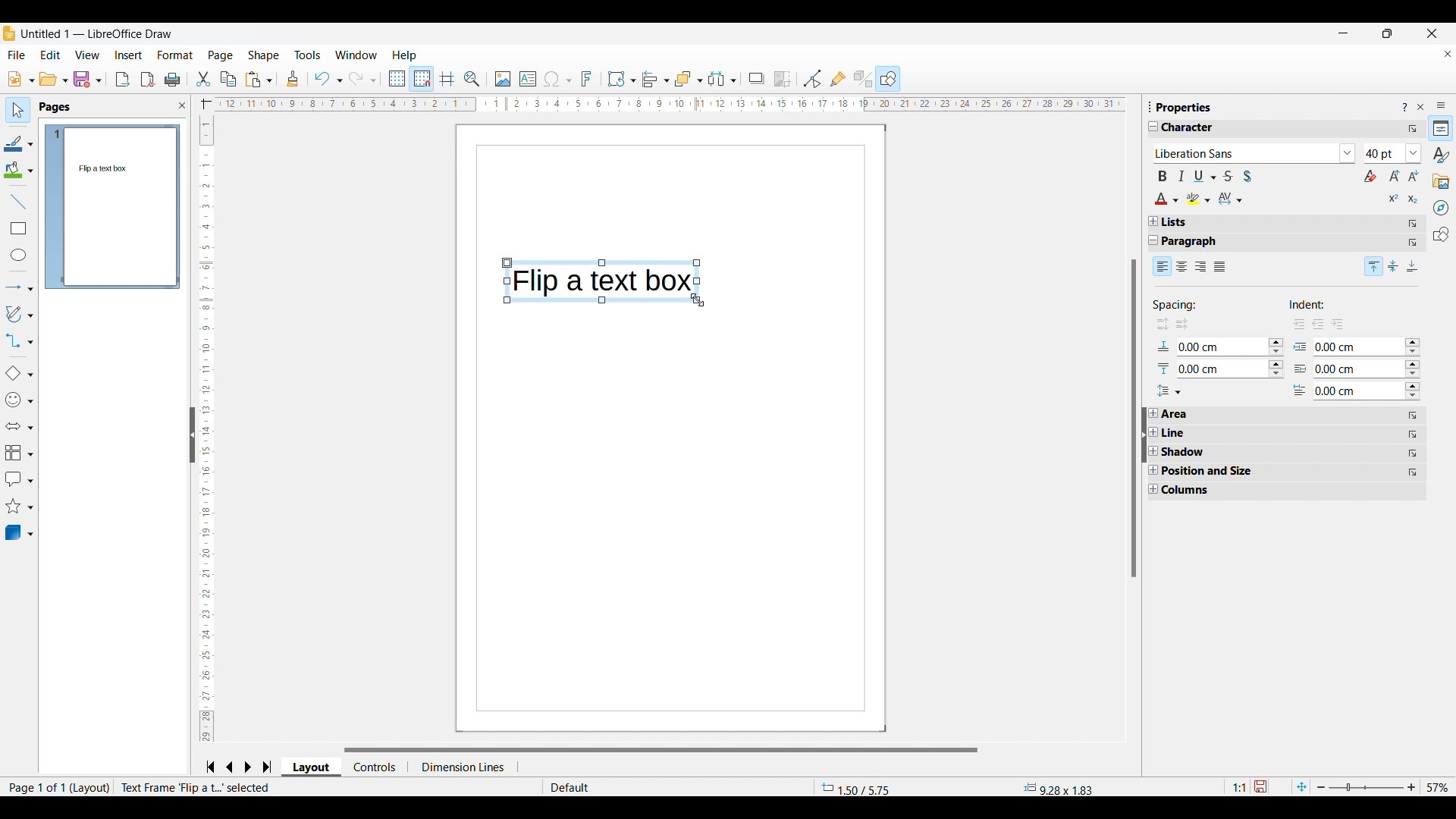 The image size is (1456, 819). Describe the element at coordinates (1317, 305) in the screenshot. I see `Indicates indent options` at that location.